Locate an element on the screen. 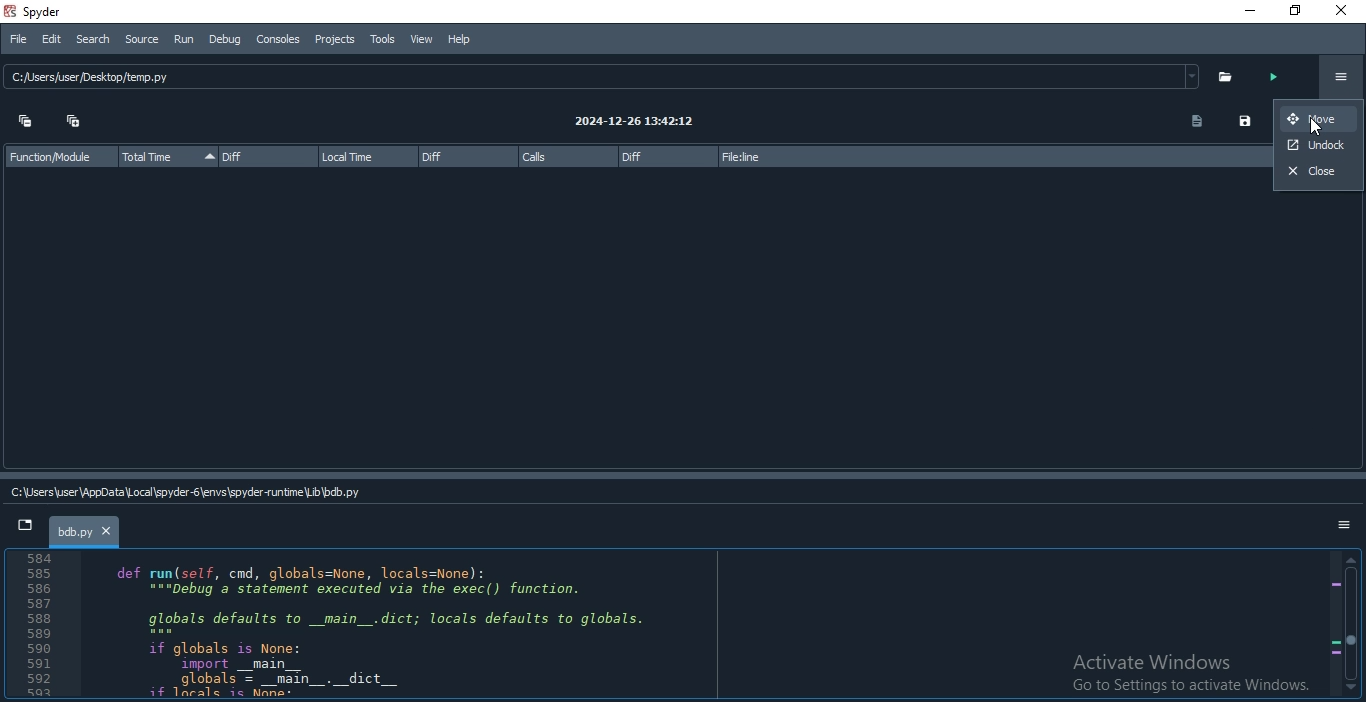  Debug is located at coordinates (224, 38).